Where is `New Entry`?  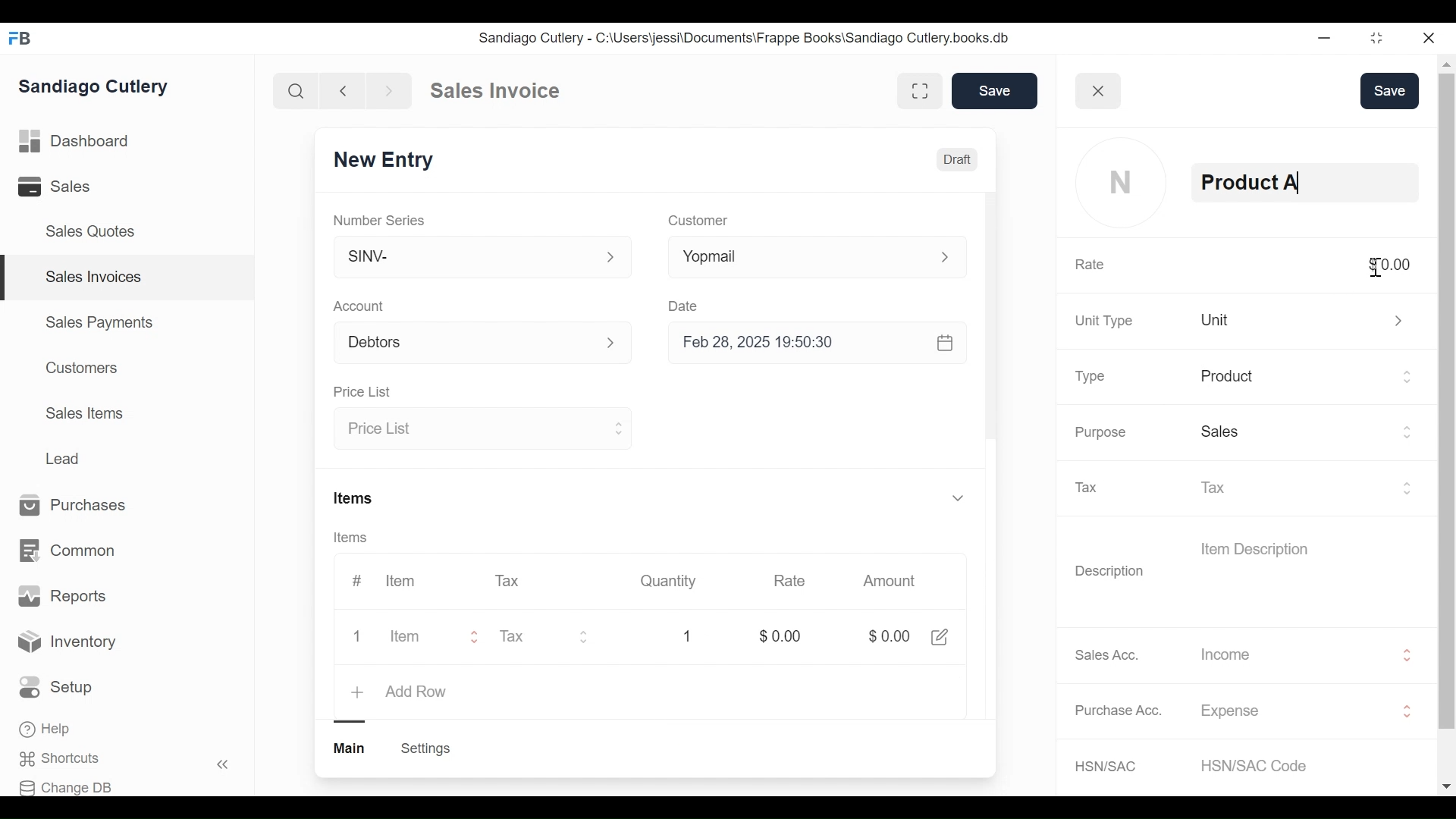
New Entry is located at coordinates (382, 159).